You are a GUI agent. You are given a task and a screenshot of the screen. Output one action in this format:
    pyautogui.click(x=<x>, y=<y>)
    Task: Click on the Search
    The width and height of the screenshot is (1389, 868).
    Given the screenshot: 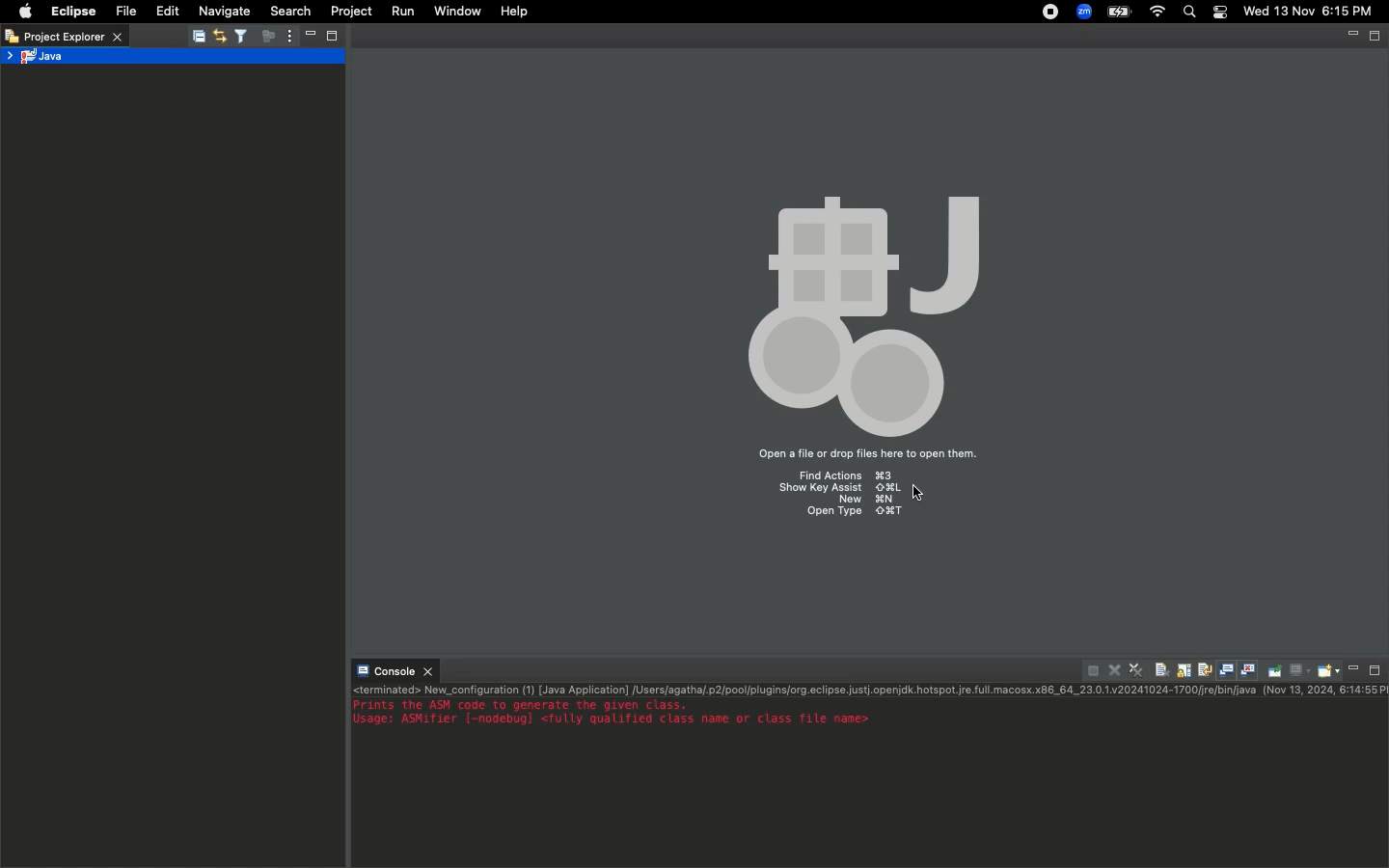 What is the action you would take?
    pyautogui.click(x=287, y=13)
    